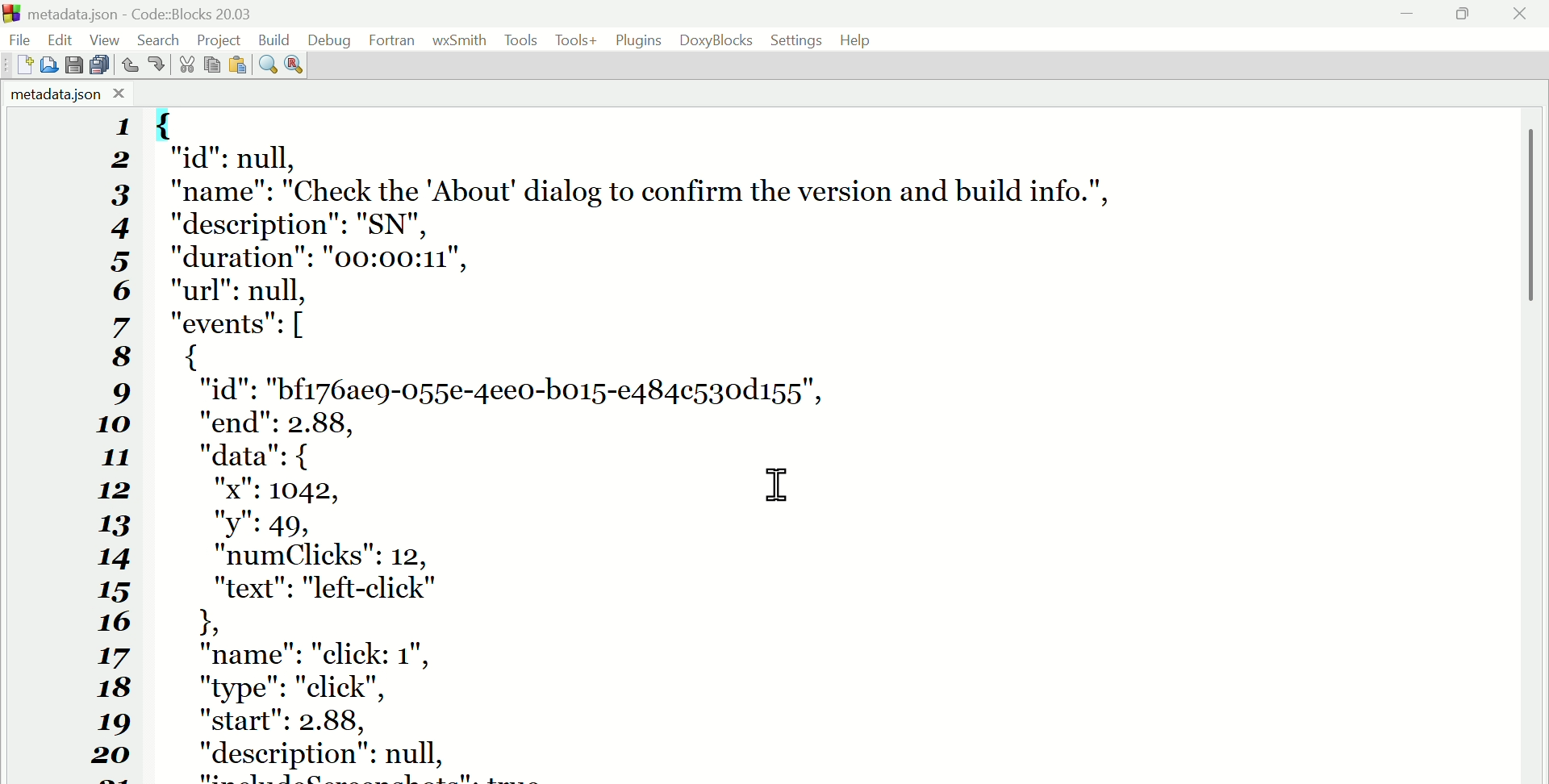  I want to click on Copy, so click(211, 65).